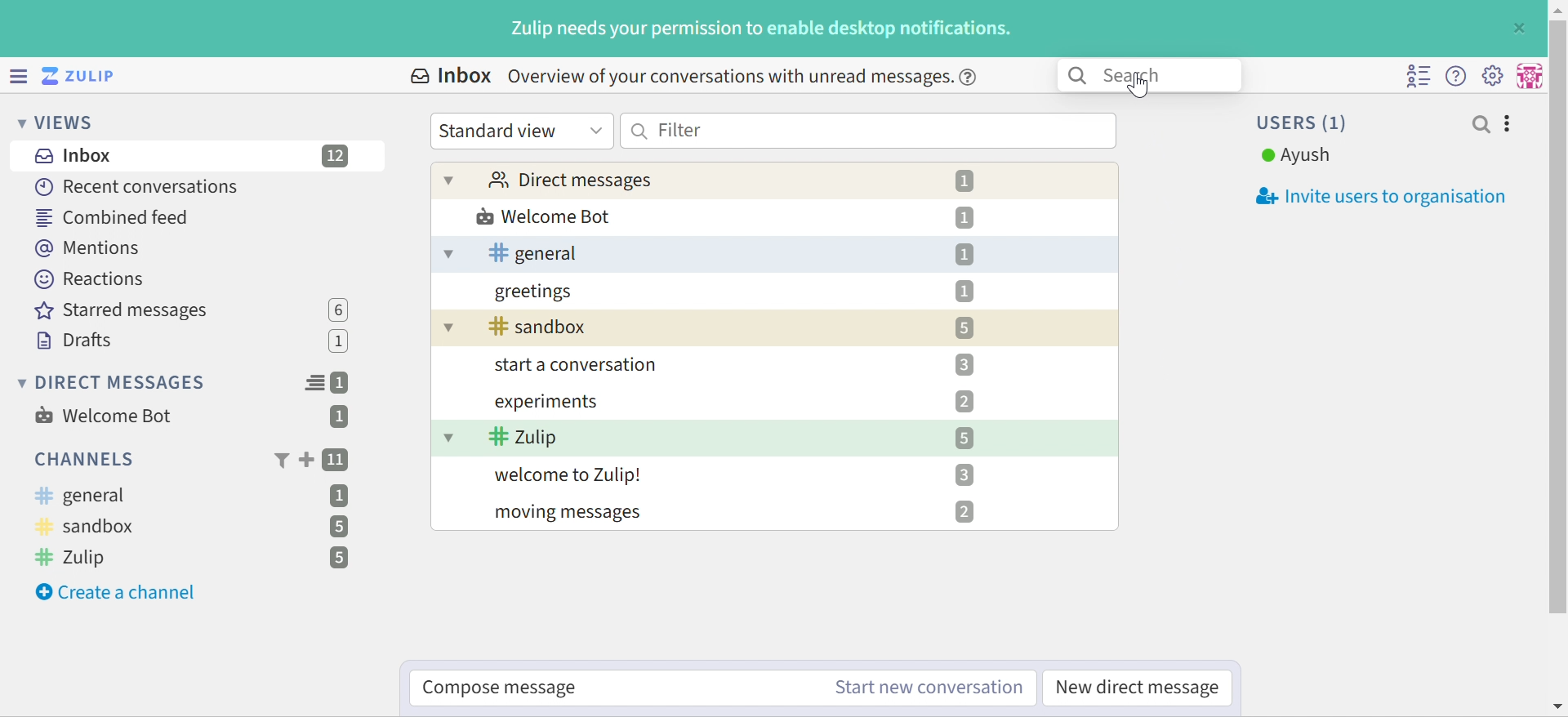 The height and width of the screenshot is (717, 1568). Describe the element at coordinates (964, 402) in the screenshot. I see `2` at that location.